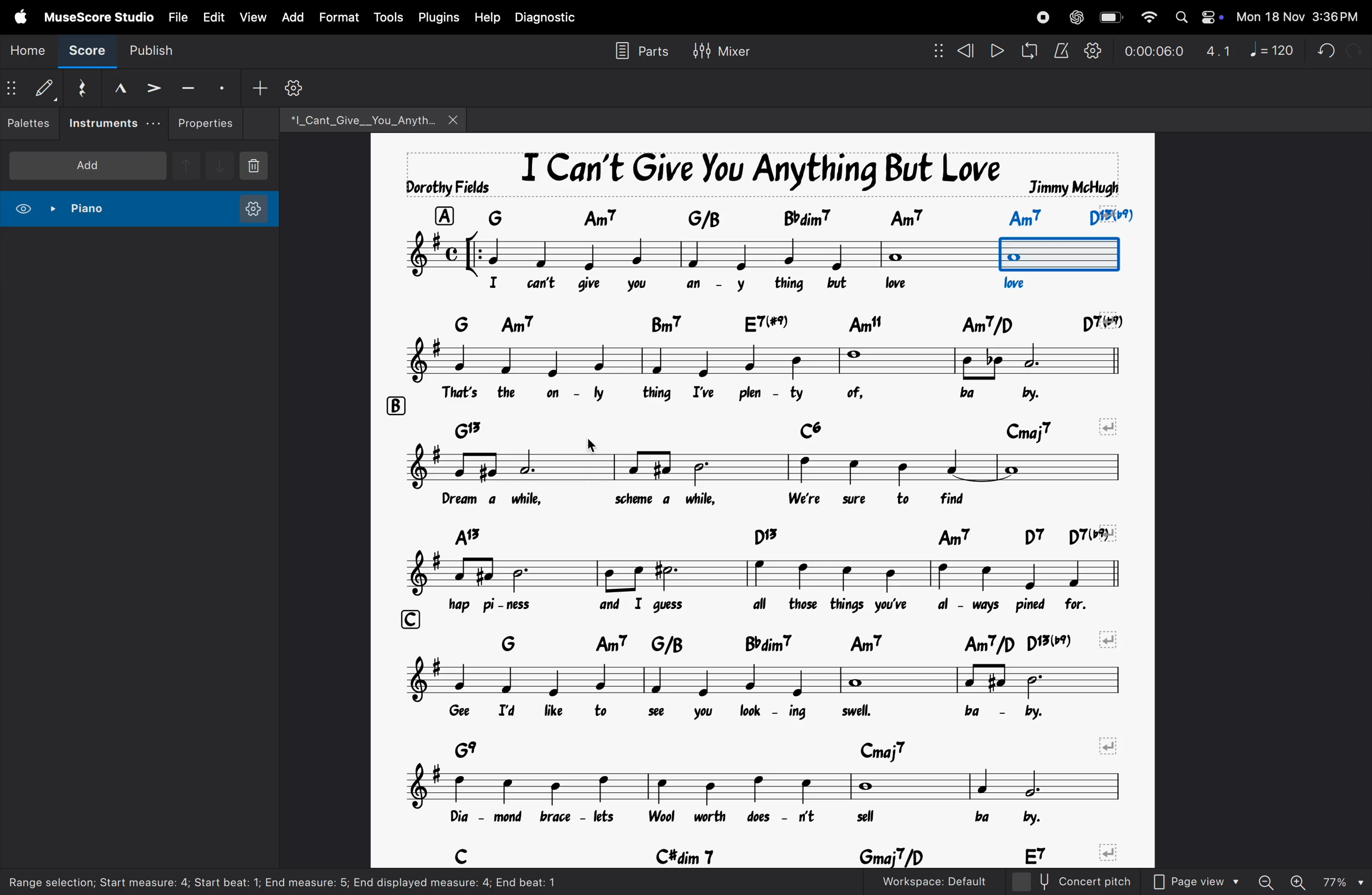 This screenshot has height=895, width=1372. Describe the element at coordinates (775, 852) in the screenshot. I see `chord symbols` at that location.